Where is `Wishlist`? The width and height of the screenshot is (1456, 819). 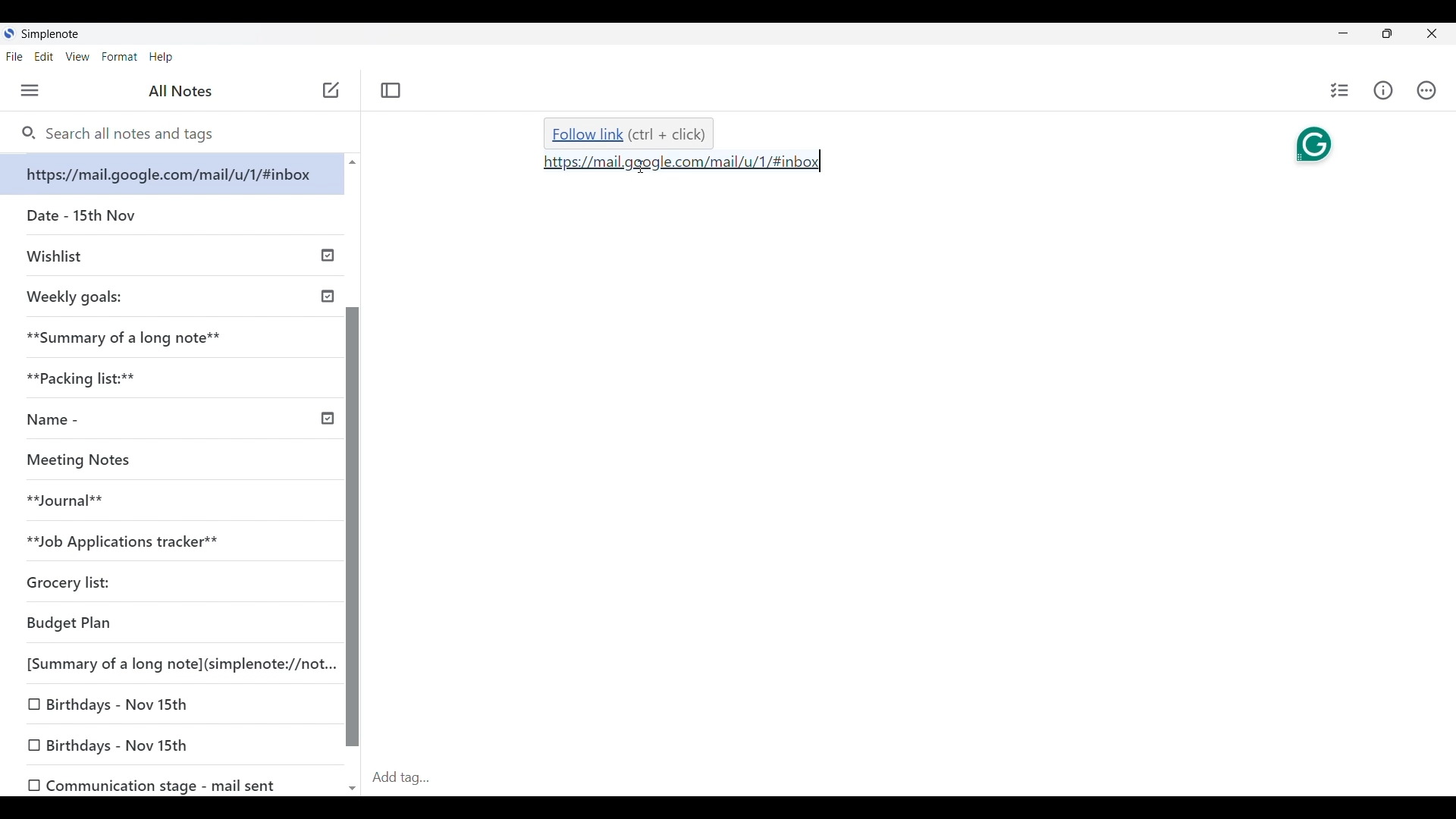
Wishlist is located at coordinates (55, 255).